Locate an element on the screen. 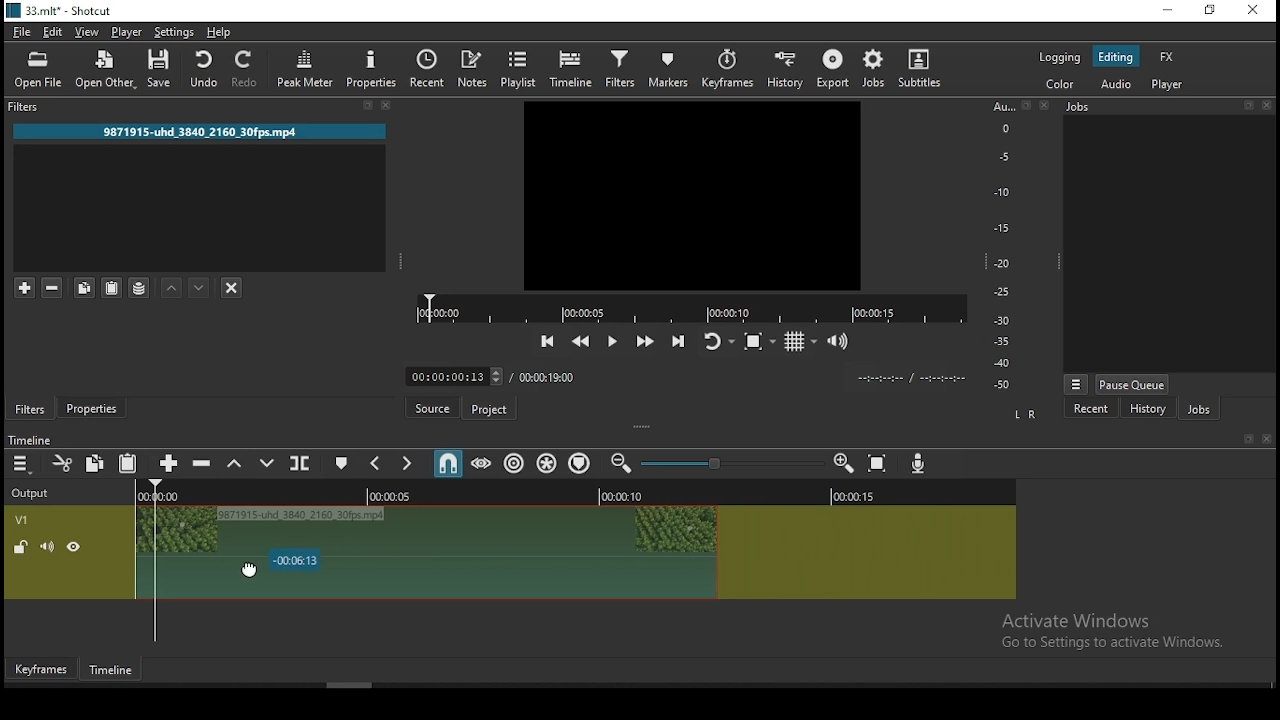 The height and width of the screenshot is (720, 1280). timeline is located at coordinates (32, 439).